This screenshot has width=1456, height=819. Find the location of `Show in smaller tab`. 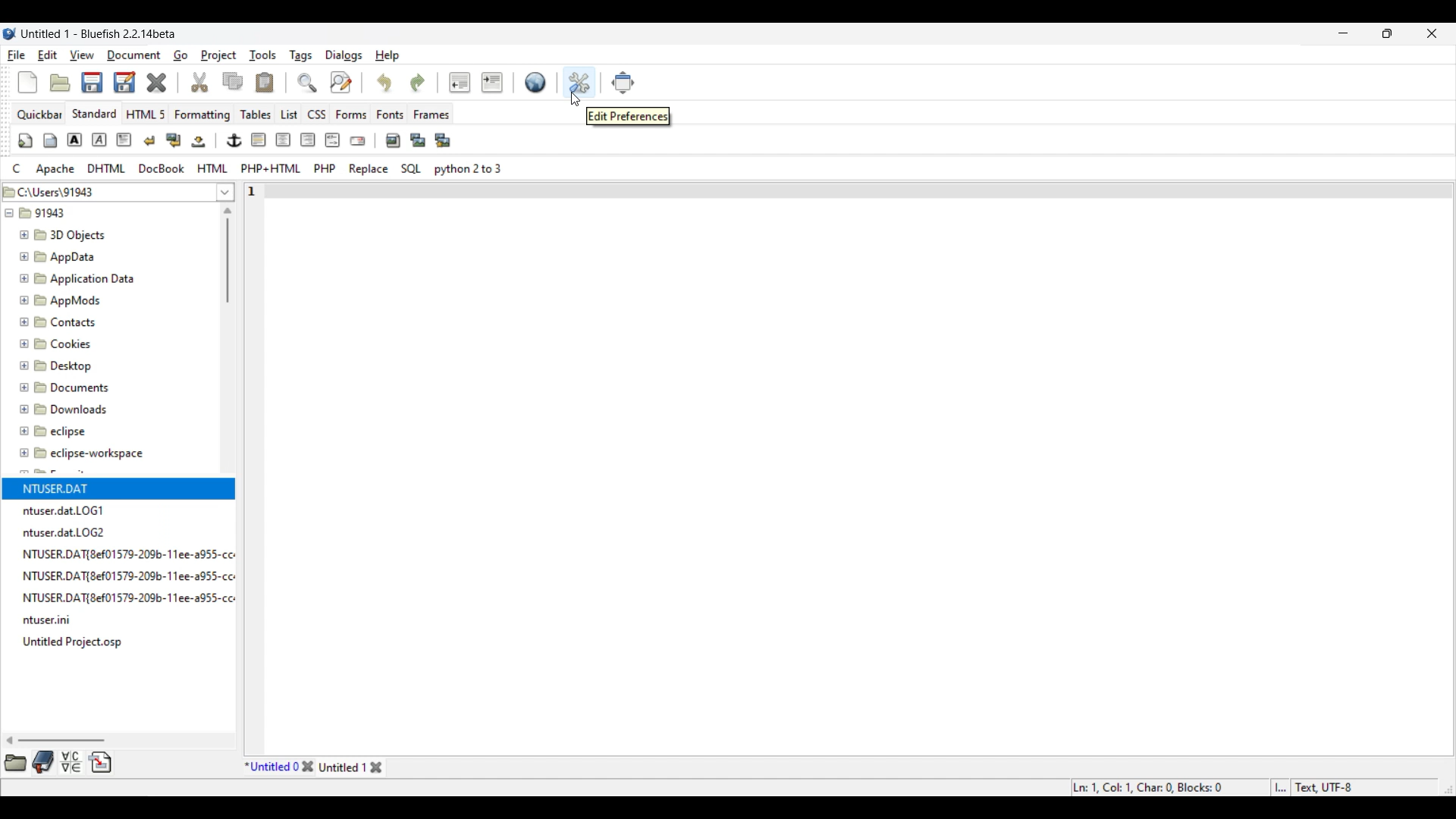

Show in smaller tab is located at coordinates (1387, 33).